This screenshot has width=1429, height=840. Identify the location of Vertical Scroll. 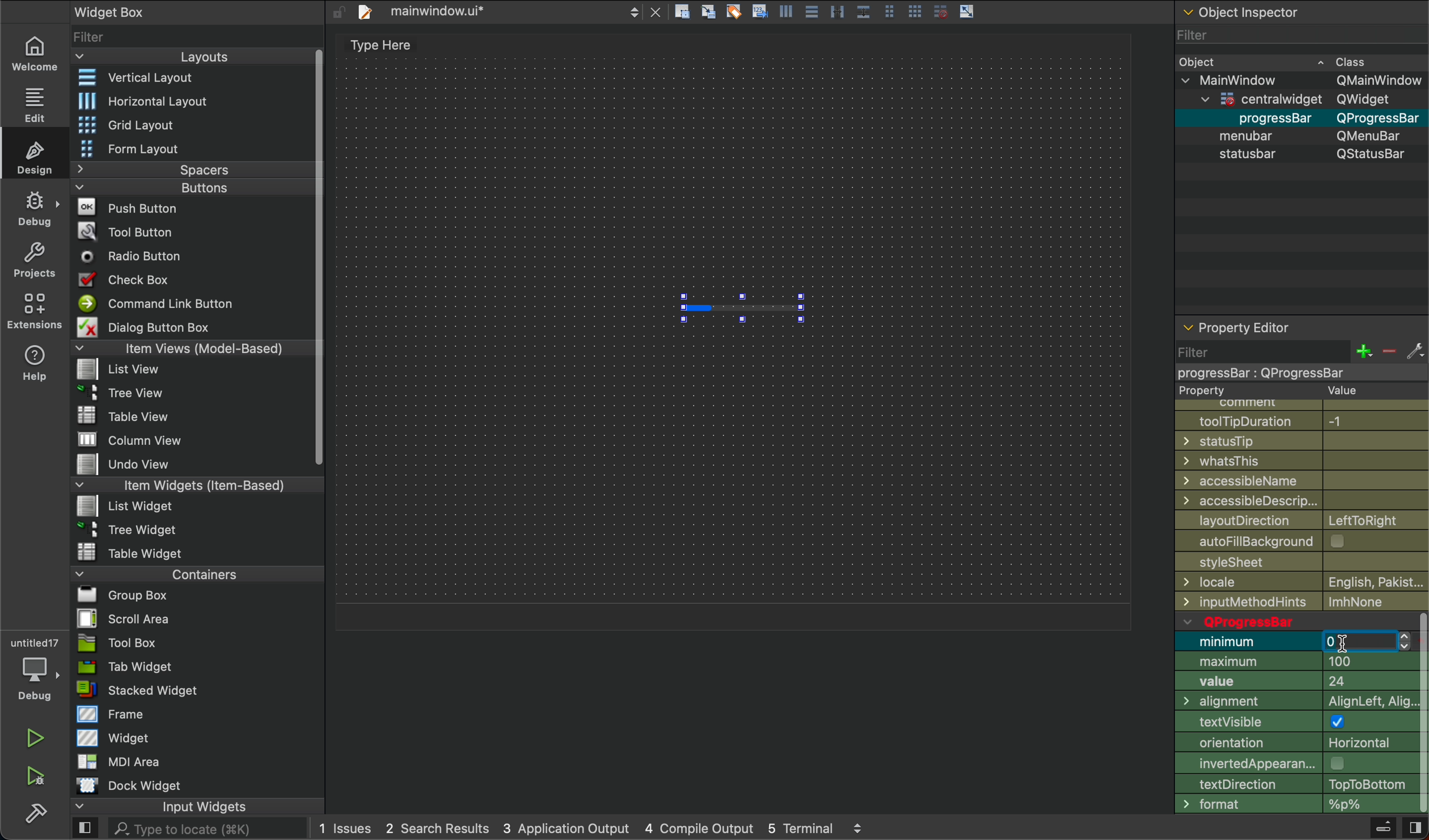
(316, 258).